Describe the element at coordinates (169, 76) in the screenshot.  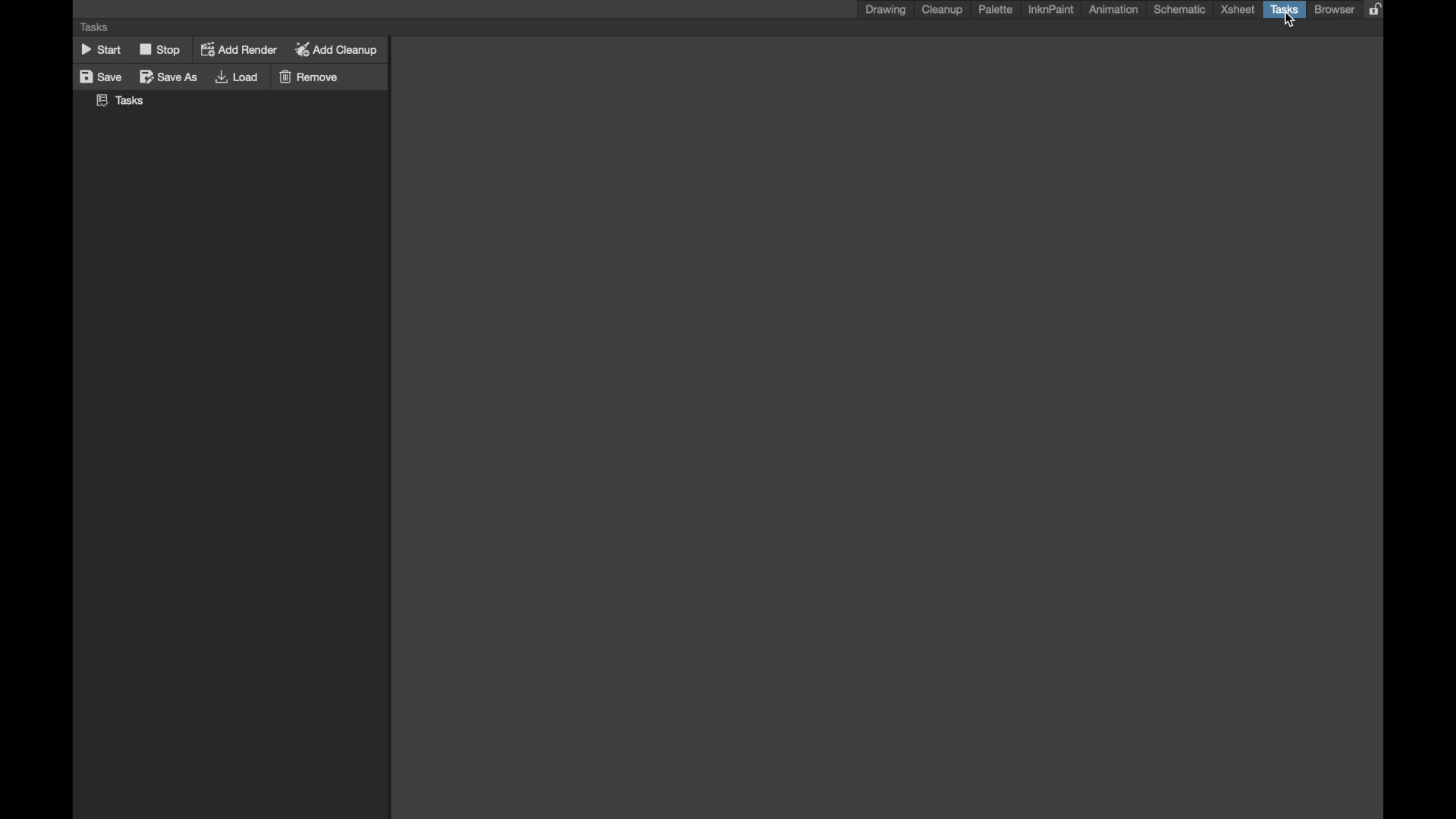
I see `save as` at that location.